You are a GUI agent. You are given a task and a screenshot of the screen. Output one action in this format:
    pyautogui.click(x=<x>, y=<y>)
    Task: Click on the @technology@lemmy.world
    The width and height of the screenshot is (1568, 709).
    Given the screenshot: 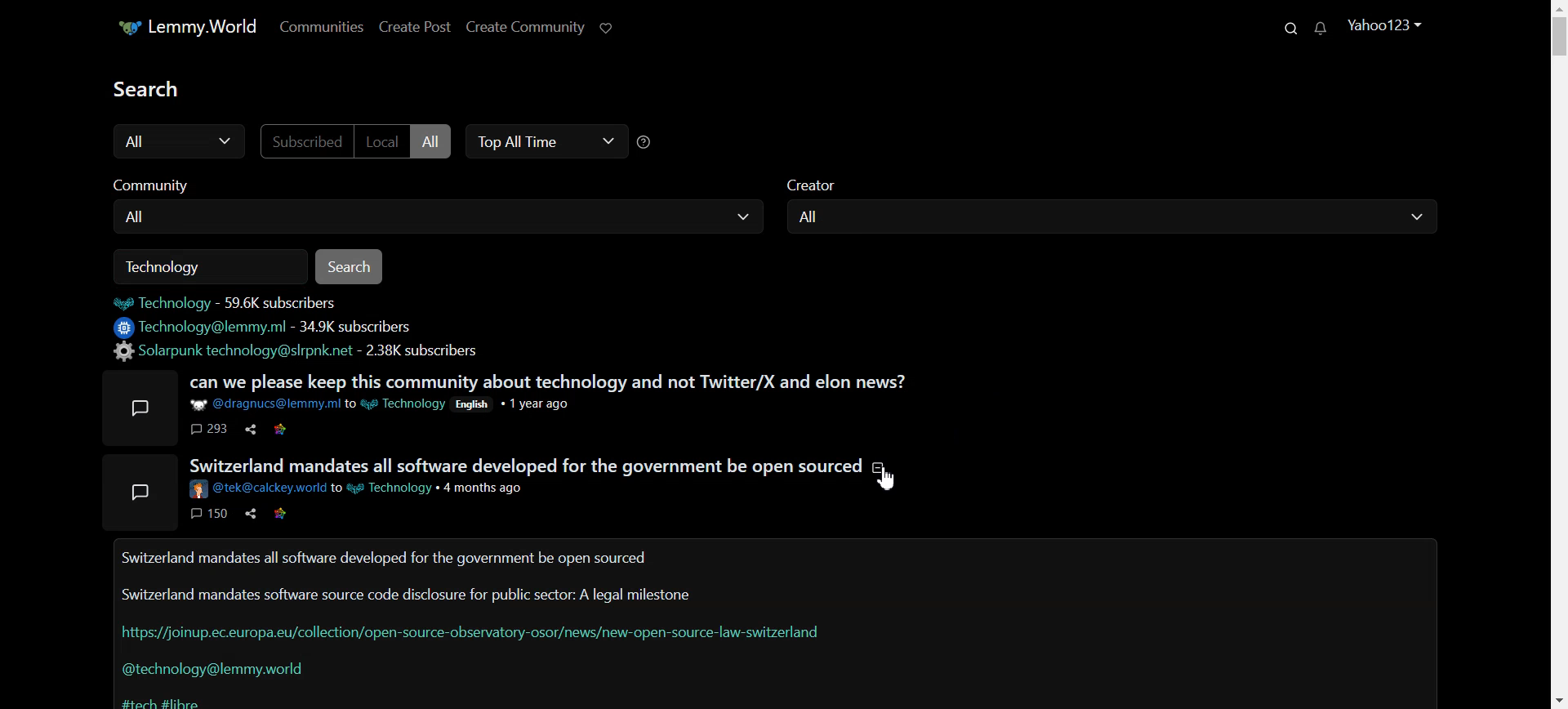 What is the action you would take?
    pyautogui.click(x=220, y=669)
    